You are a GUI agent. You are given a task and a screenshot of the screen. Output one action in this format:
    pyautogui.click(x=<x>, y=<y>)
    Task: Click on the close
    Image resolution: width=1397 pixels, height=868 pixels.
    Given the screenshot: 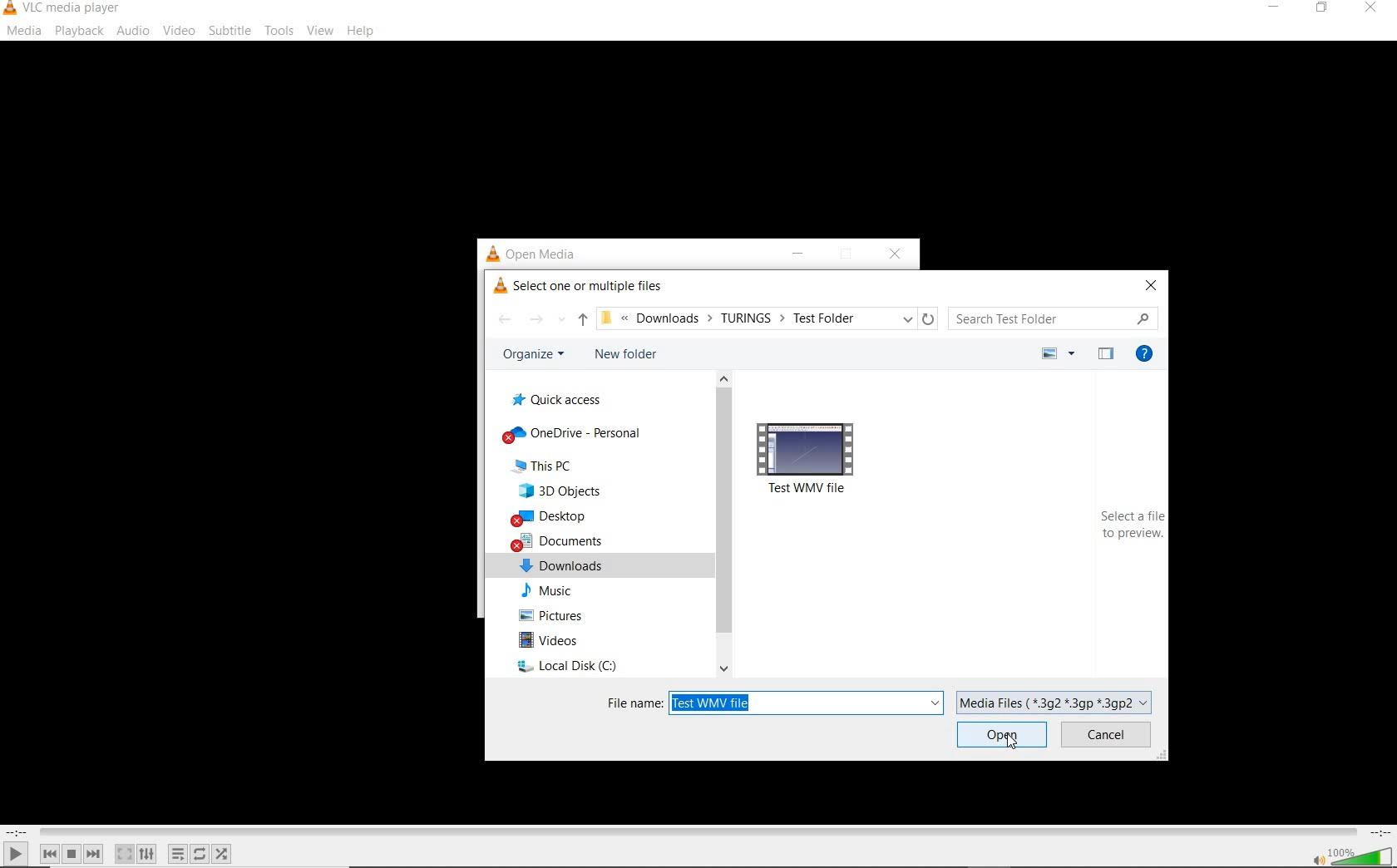 What is the action you would take?
    pyautogui.click(x=893, y=254)
    